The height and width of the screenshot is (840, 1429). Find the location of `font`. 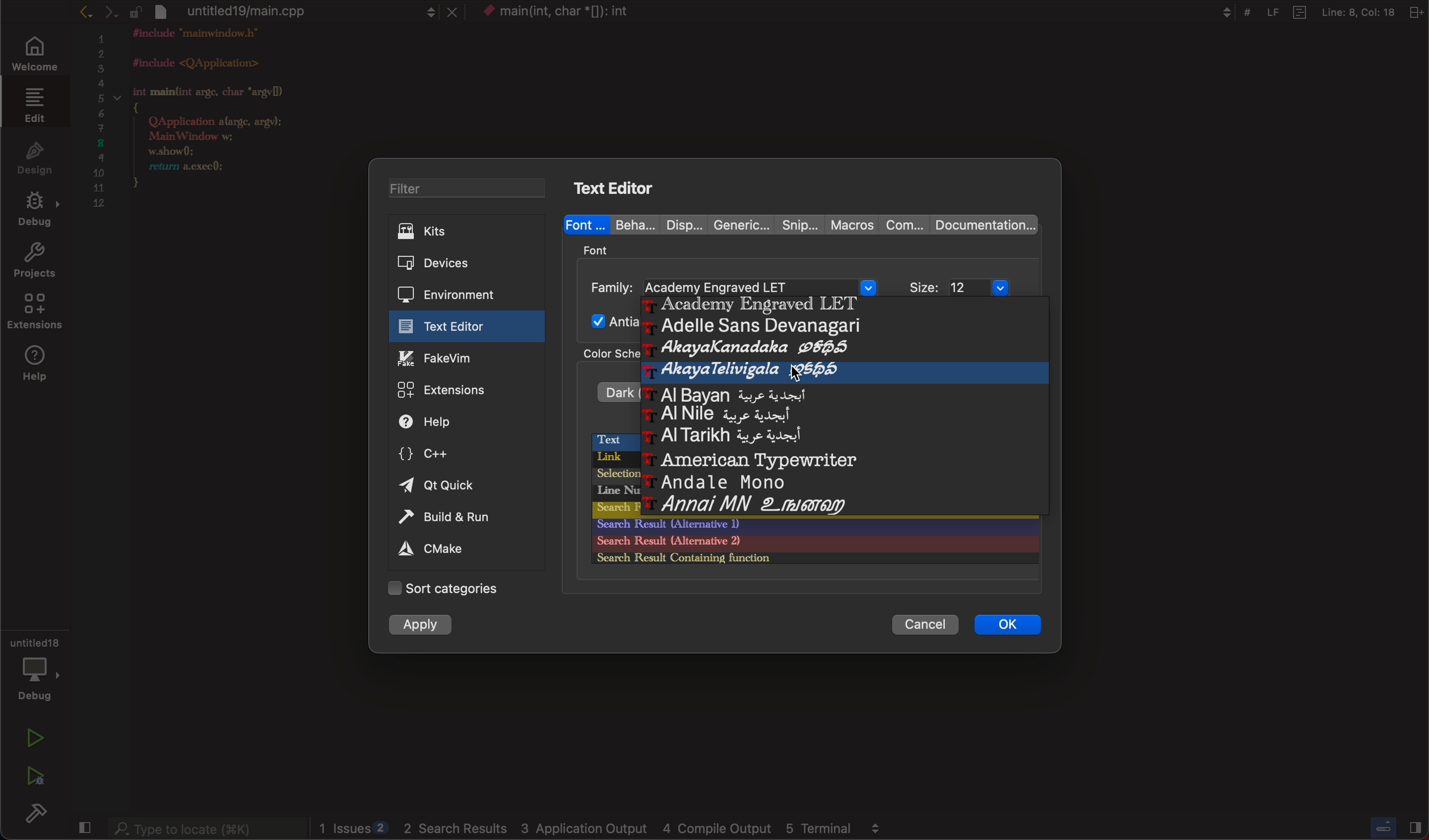

font is located at coordinates (586, 223).